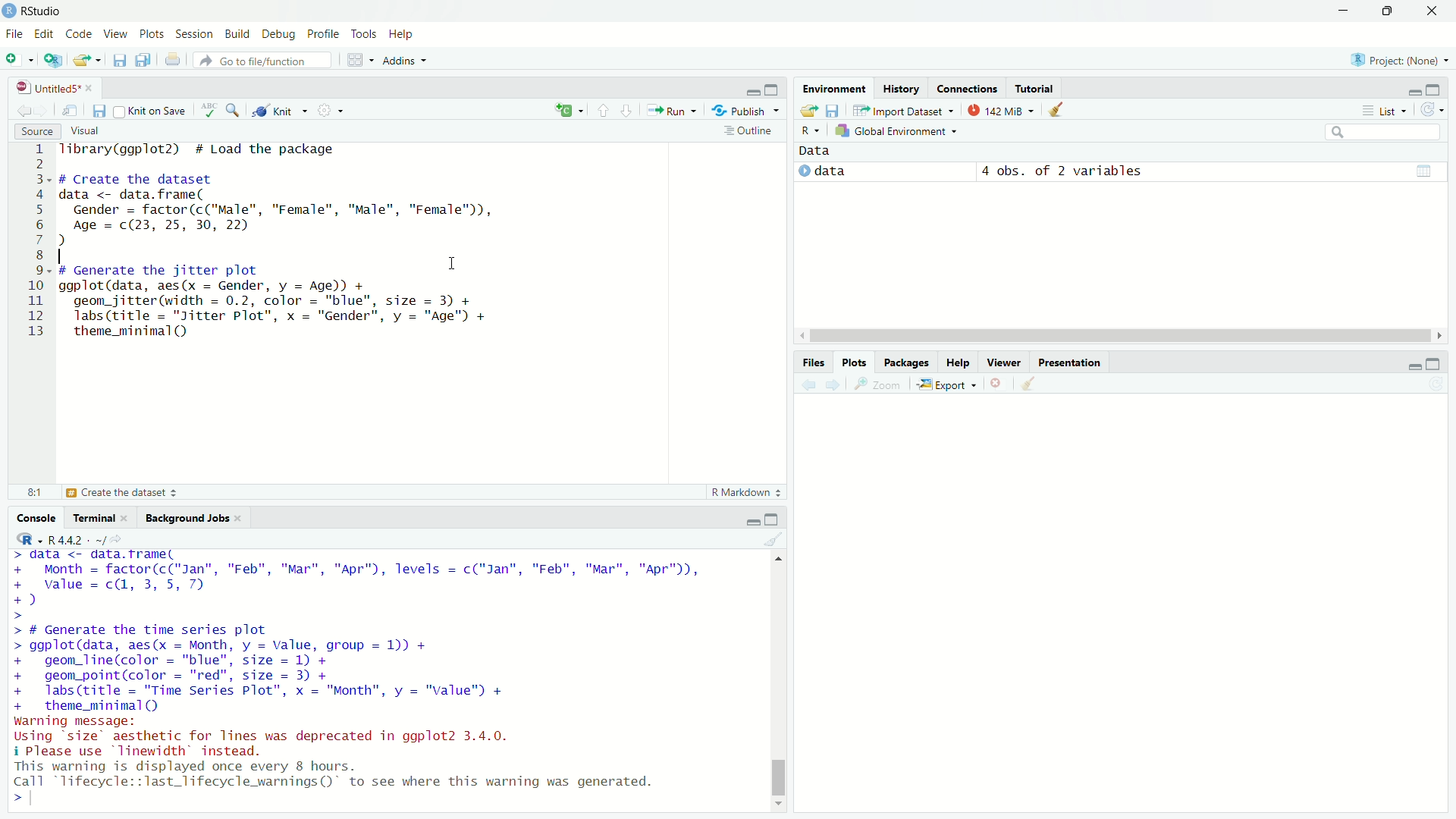  What do you see at coordinates (1122, 337) in the screenshot?
I see `scrollbar` at bounding box center [1122, 337].